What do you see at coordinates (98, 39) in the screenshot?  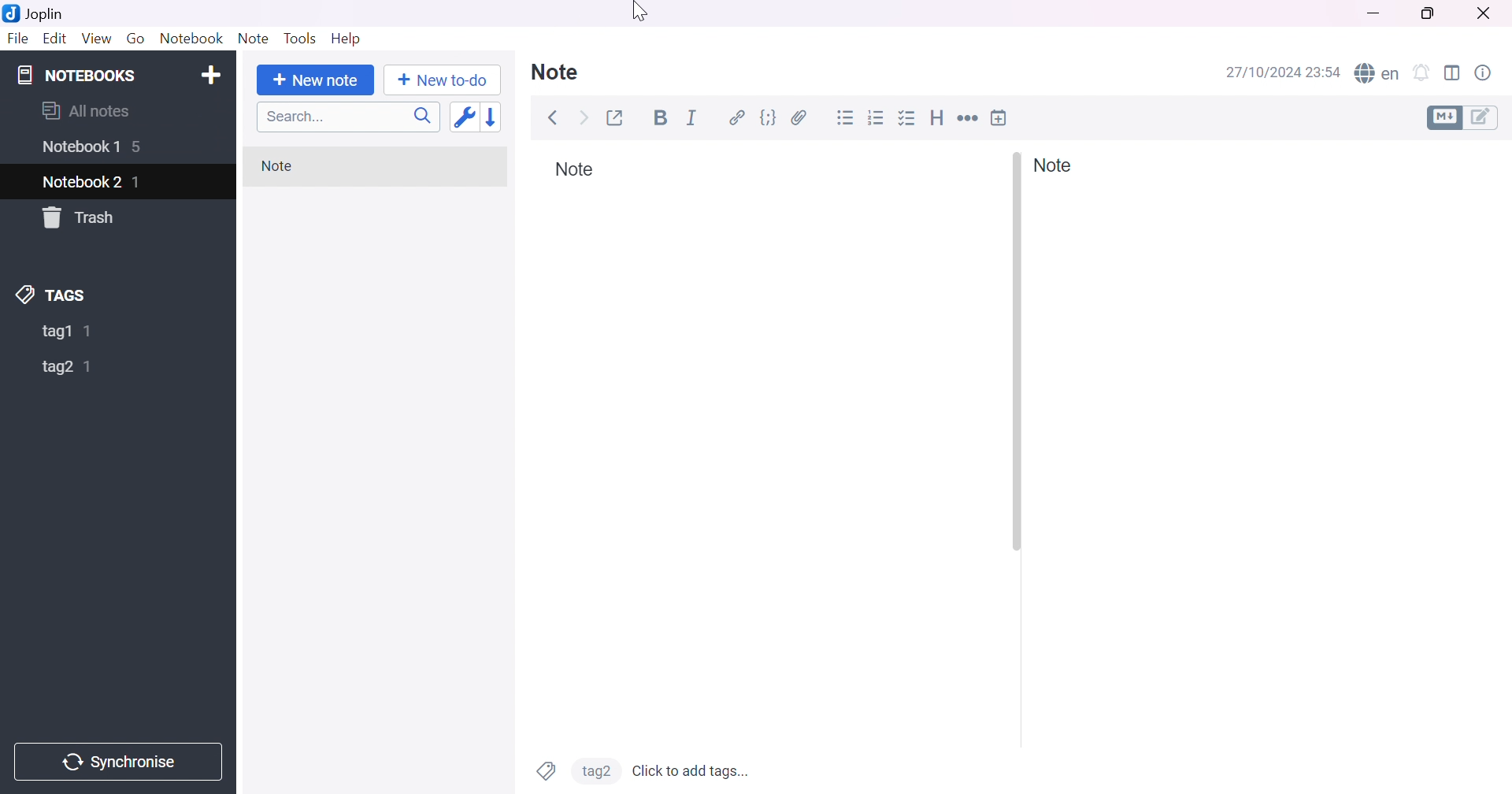 I see `View` at bounding box center [98, 39].